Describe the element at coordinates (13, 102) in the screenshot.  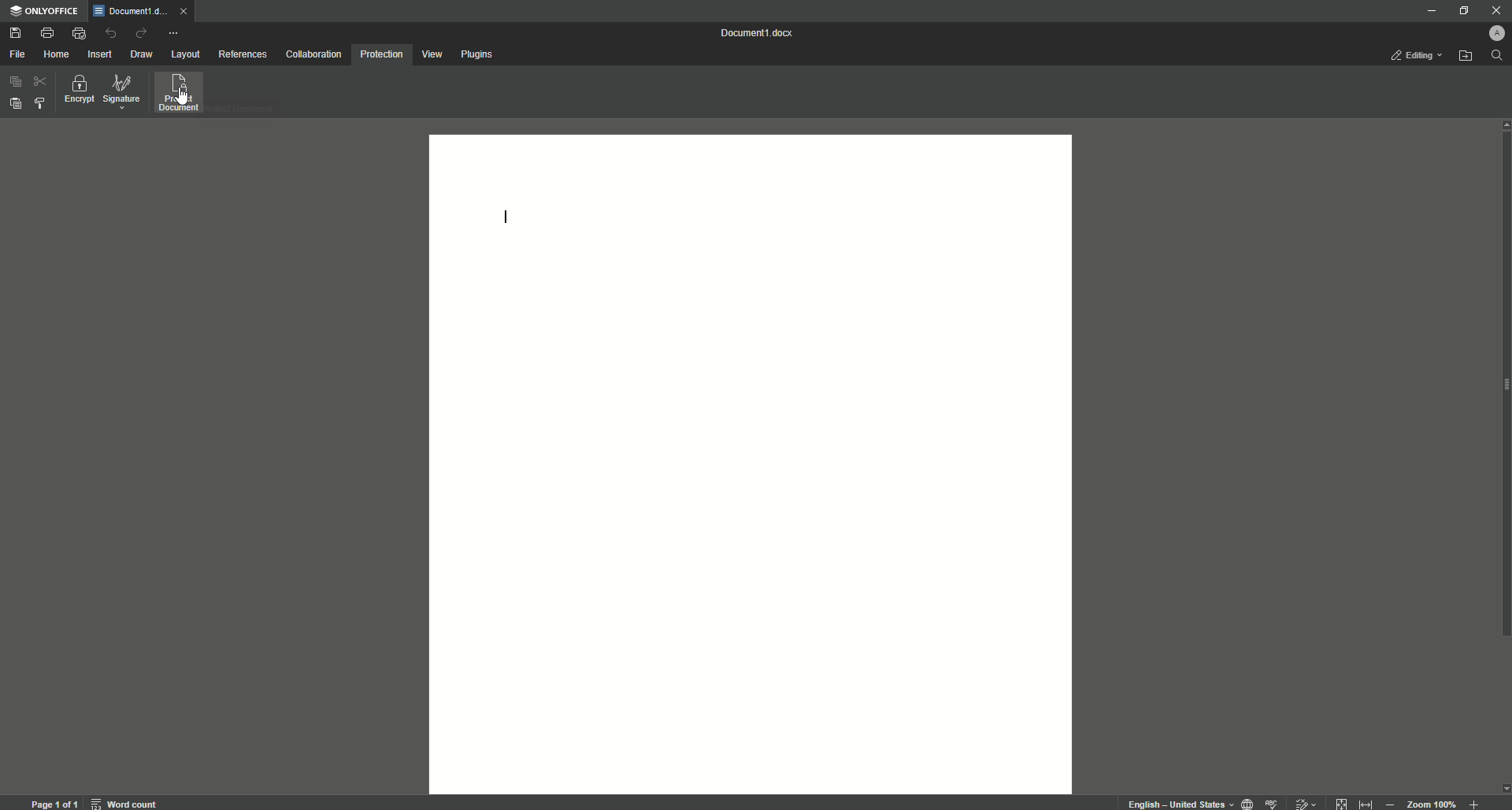
I see `Paste` at that location.